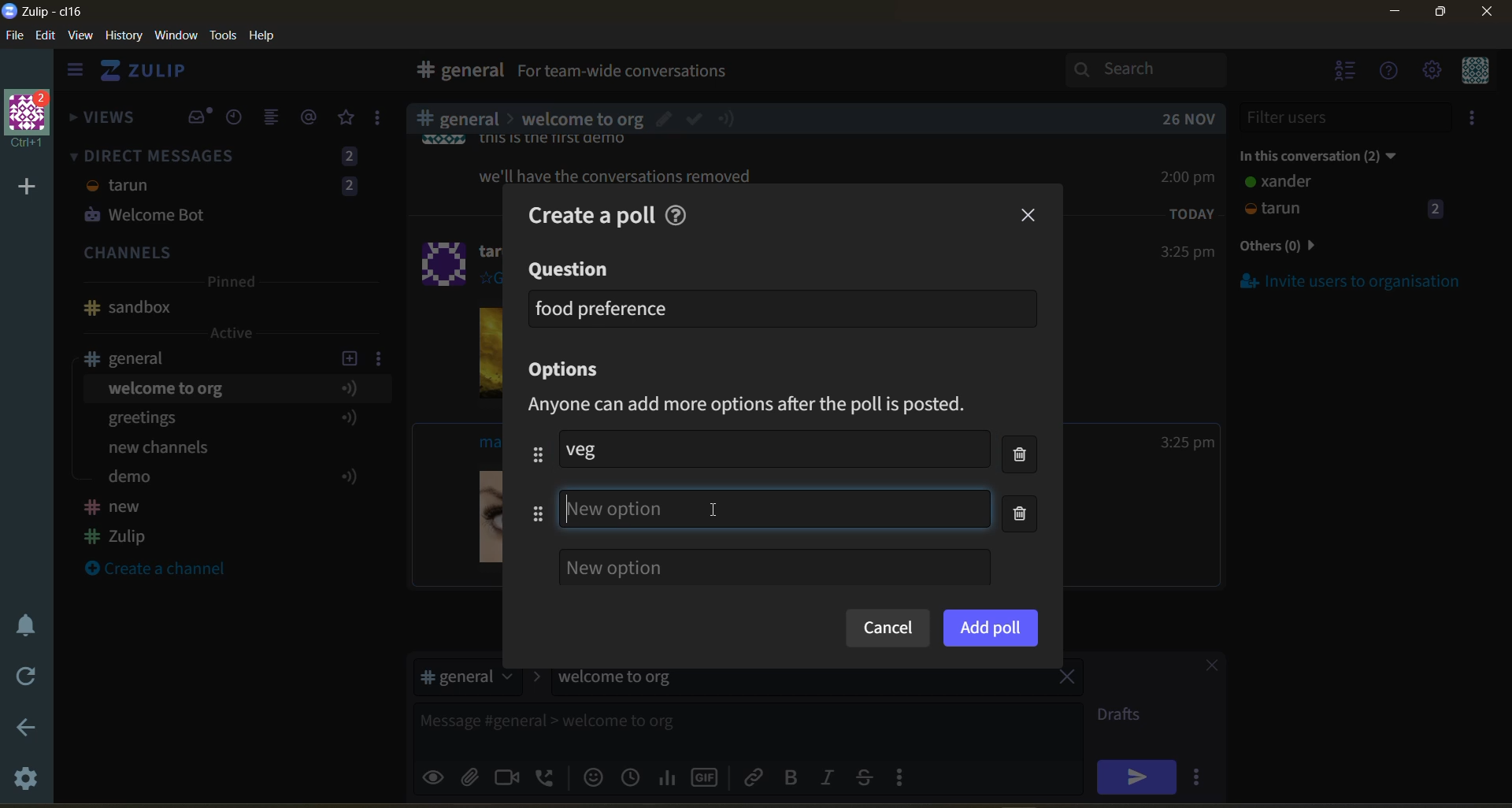  I want to click on rearrange, so click(532, 484).